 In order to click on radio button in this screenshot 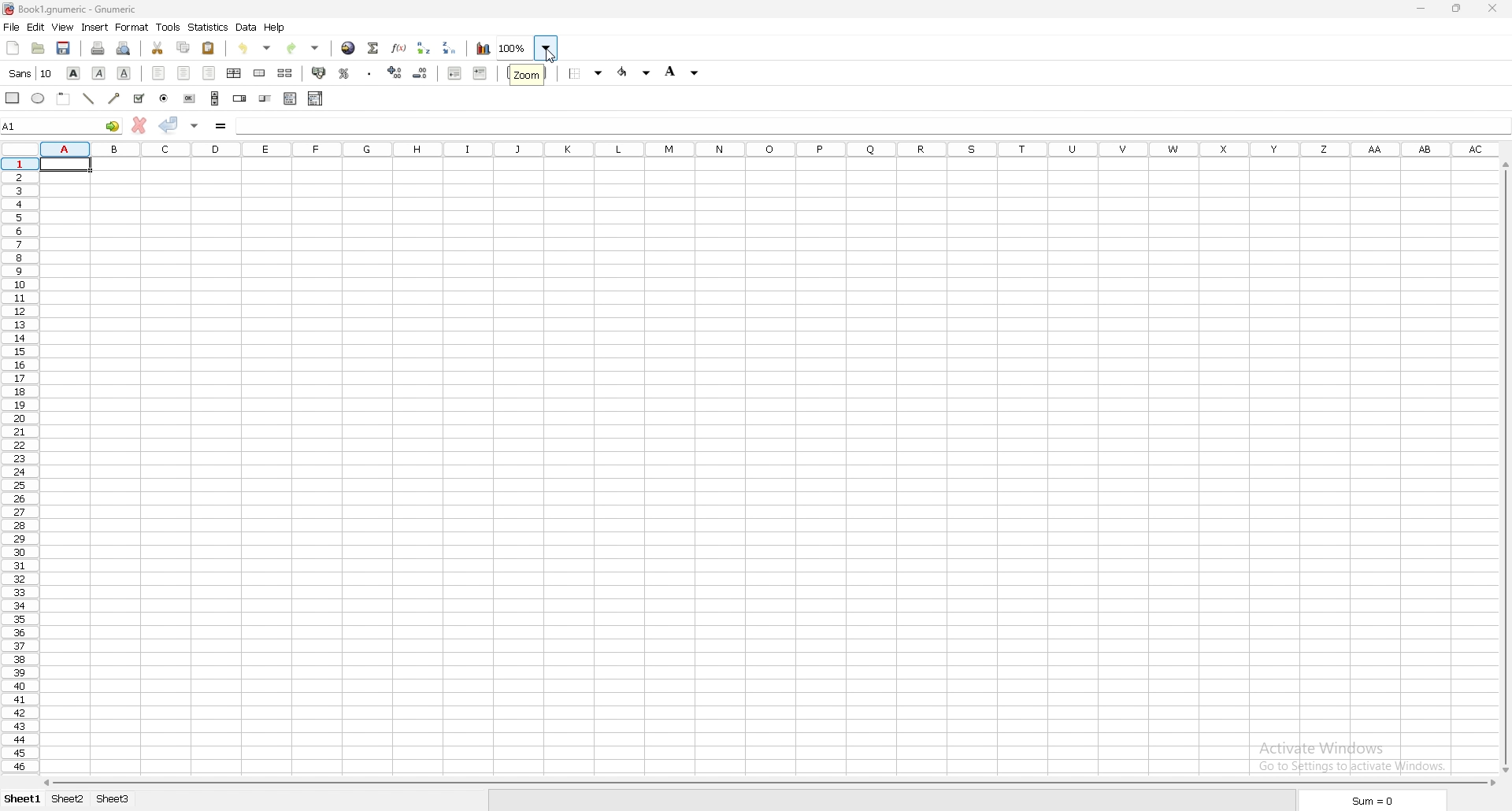, I will do `click(165, 99)`.